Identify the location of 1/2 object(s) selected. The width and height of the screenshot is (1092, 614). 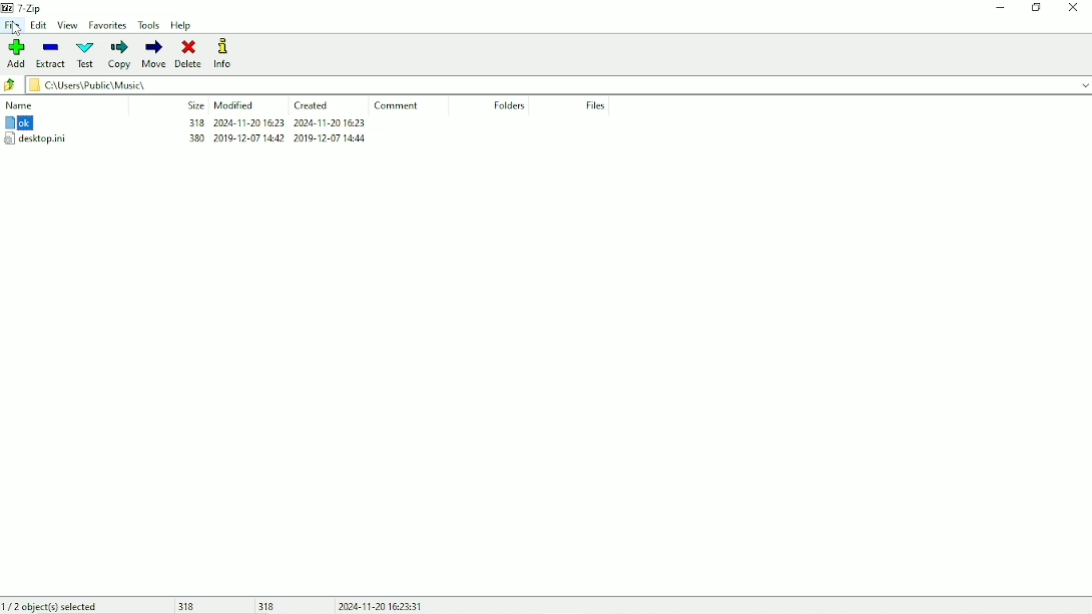
(51, 605).